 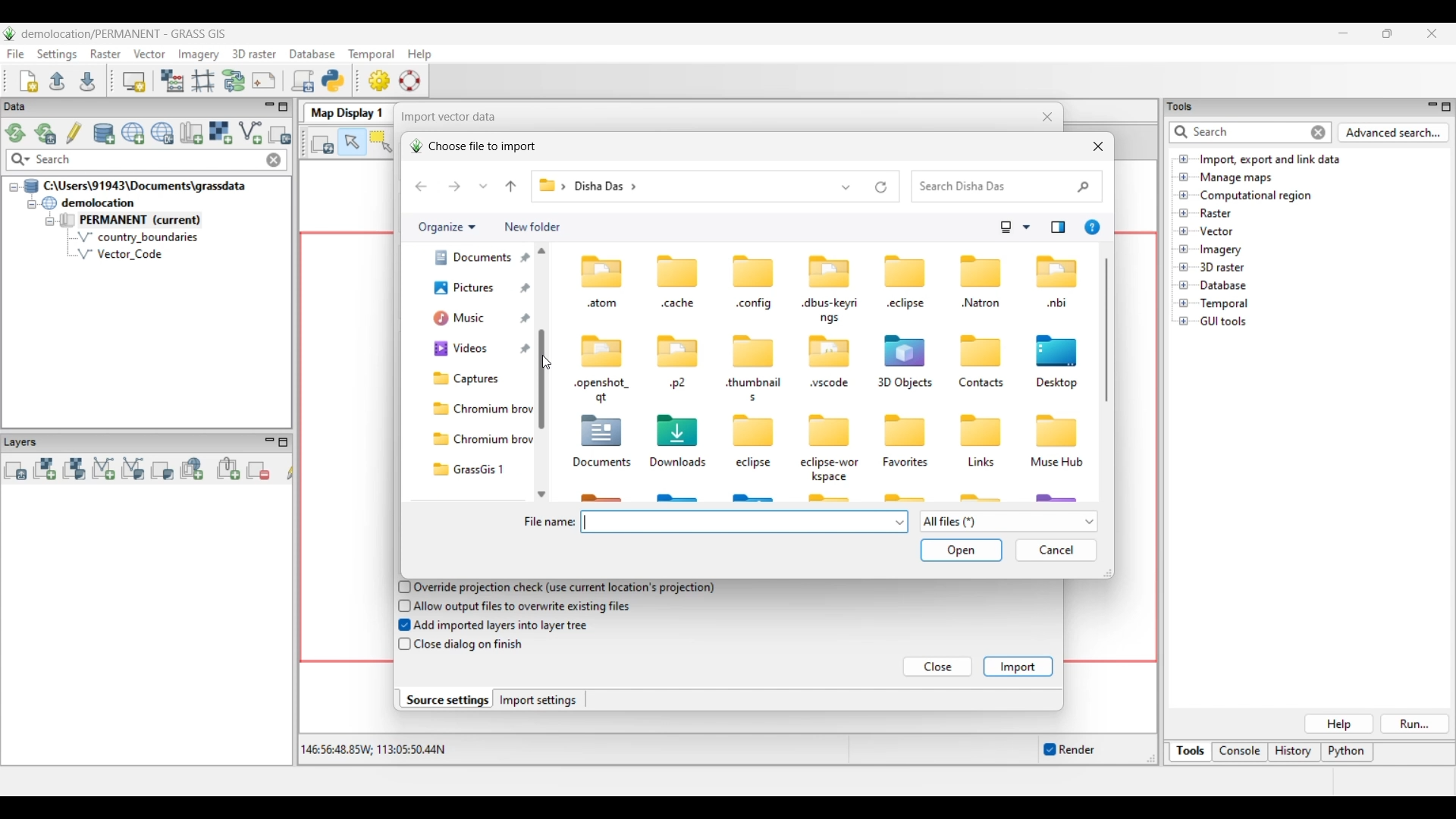 I want to click on Cancel inputs, so click(x=1056, y=551).